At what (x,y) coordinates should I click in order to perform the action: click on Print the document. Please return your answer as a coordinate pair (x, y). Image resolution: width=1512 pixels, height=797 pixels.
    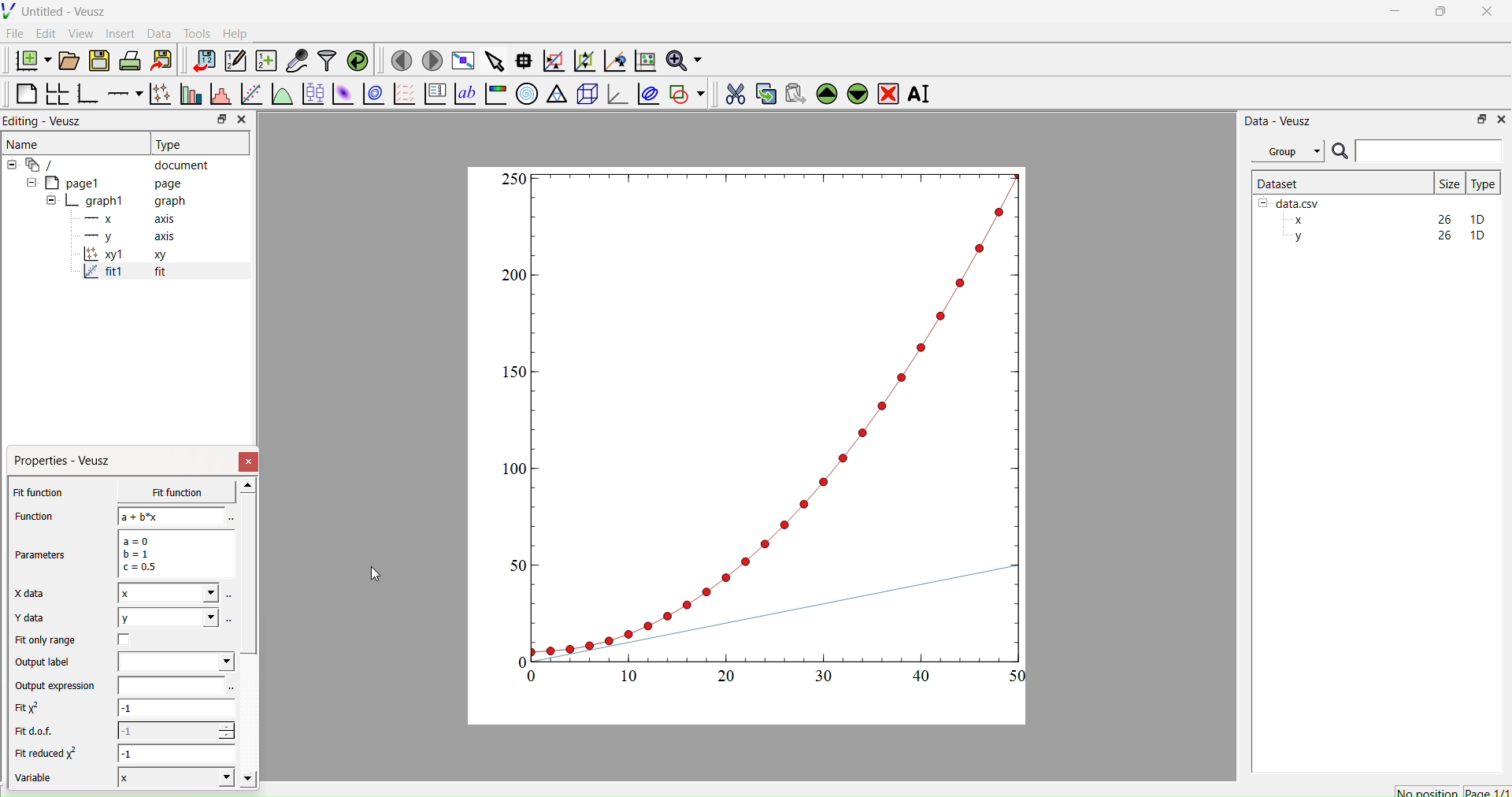
    Looking at the image, I should click on (130, 59).